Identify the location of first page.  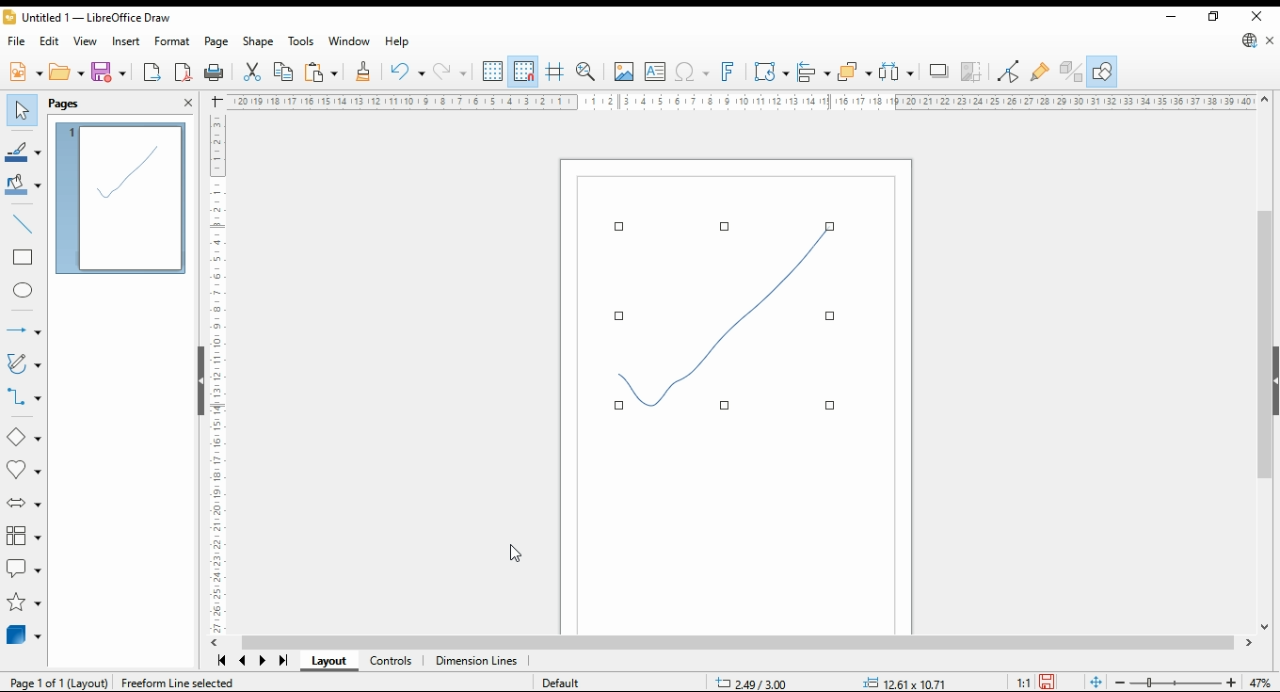
(218, 660).